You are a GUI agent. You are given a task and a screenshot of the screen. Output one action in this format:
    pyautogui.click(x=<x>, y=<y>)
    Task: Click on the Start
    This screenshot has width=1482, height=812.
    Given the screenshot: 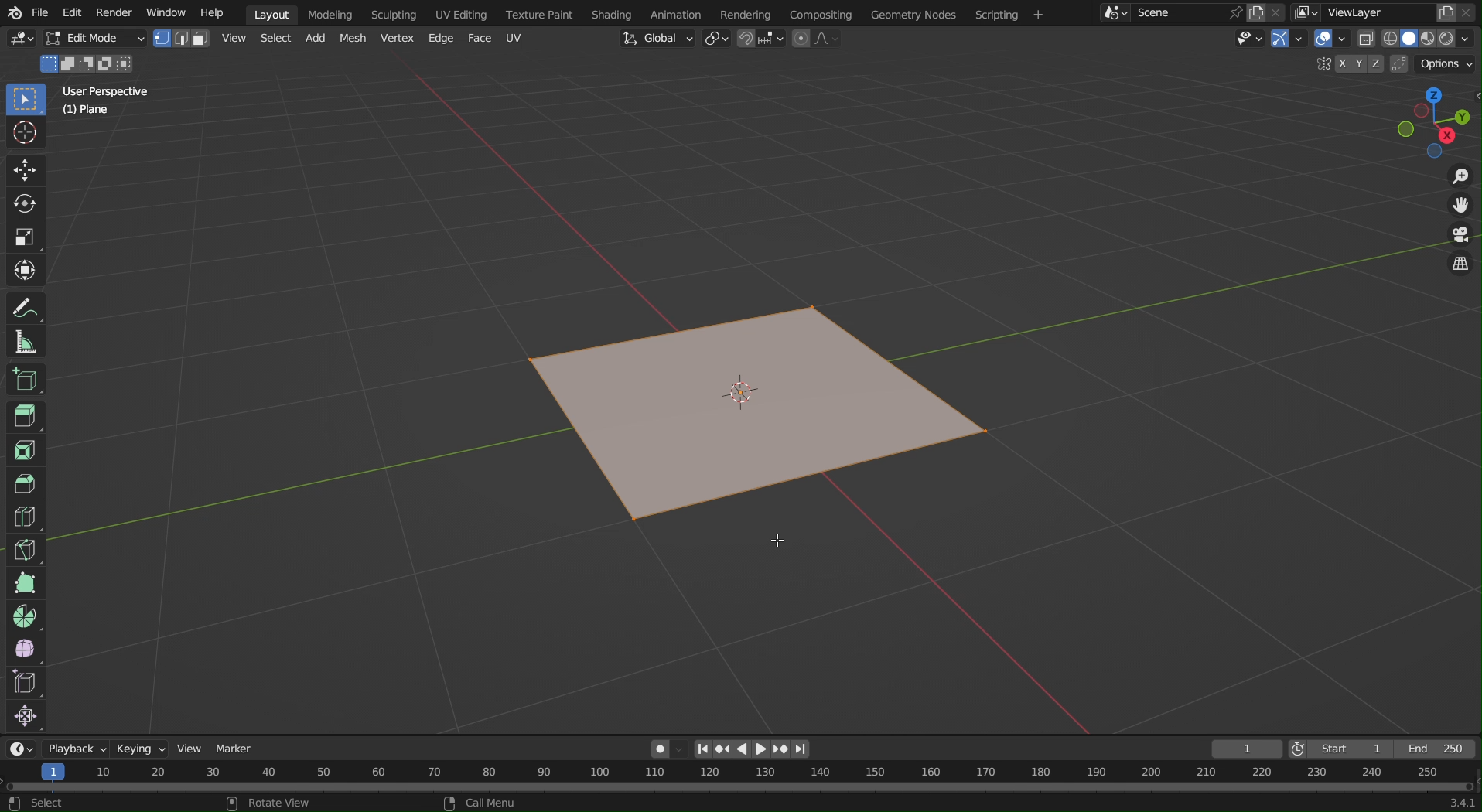 What is the action you would take?
    pyautogui.click(x=1333, y=749)
    